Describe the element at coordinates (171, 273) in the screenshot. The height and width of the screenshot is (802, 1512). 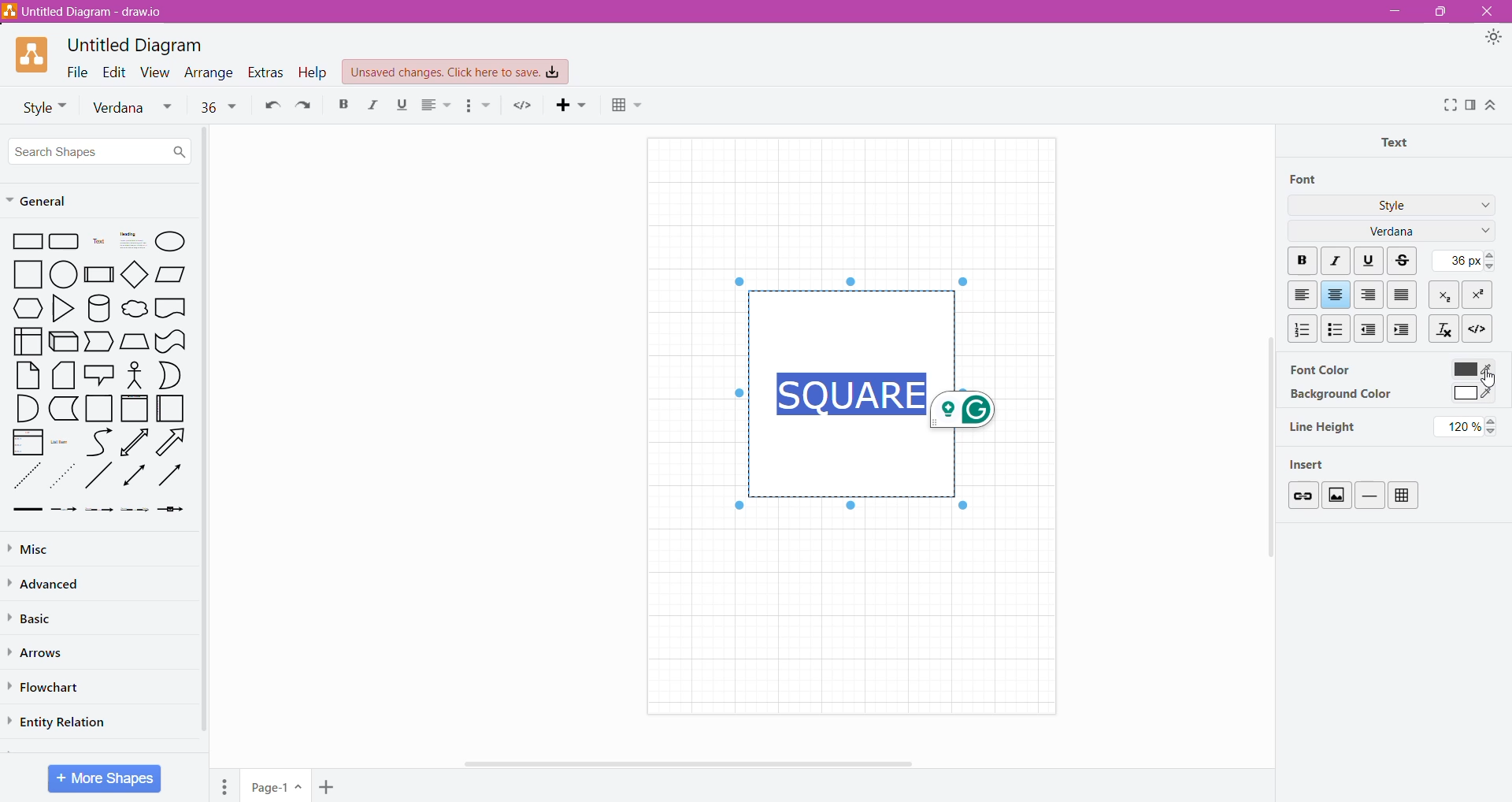
I see `Parallelogram ` at that location.